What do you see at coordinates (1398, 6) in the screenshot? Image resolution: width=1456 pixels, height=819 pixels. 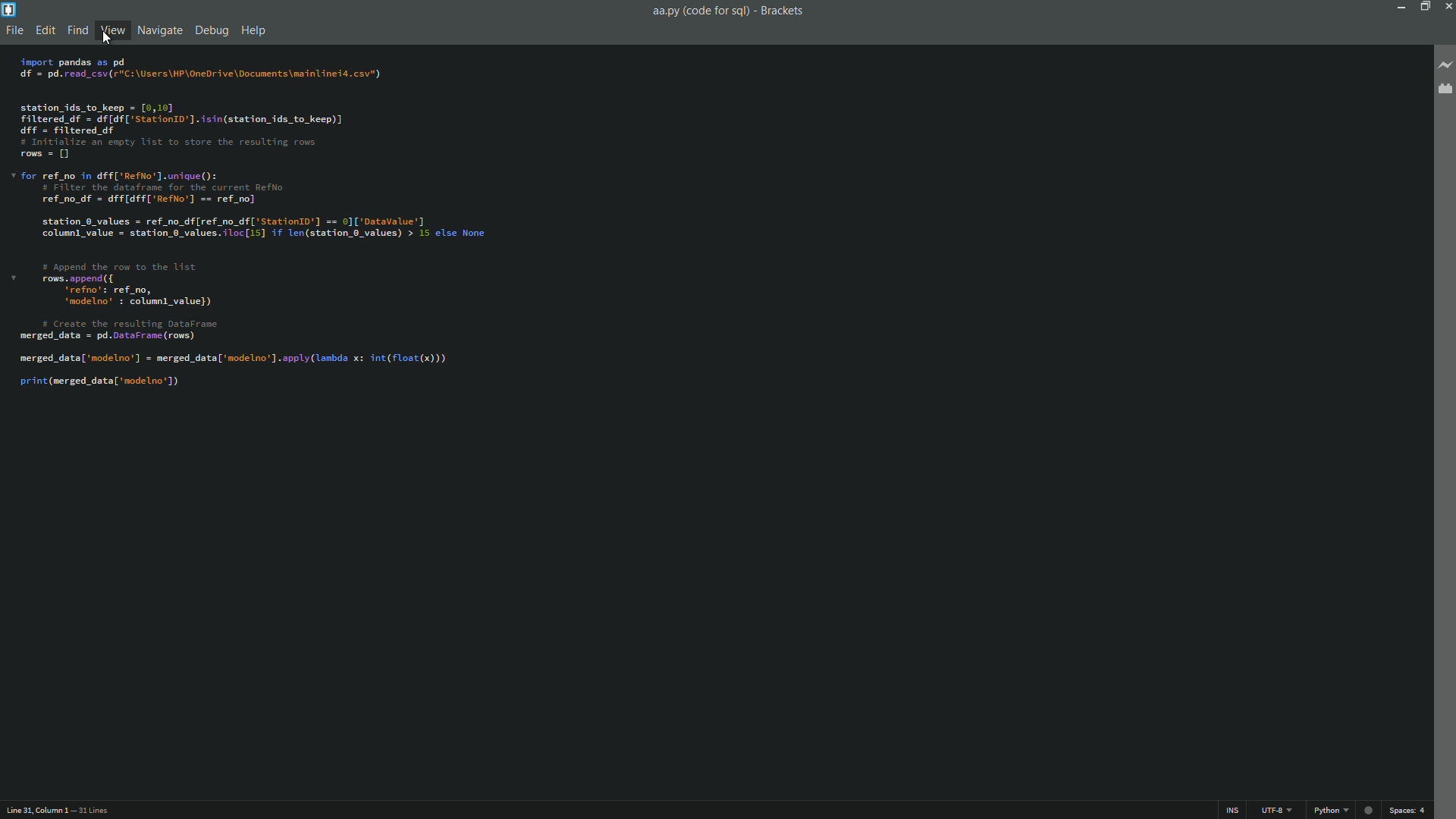 I see `Minimize` at bounding box center [1398, 6].